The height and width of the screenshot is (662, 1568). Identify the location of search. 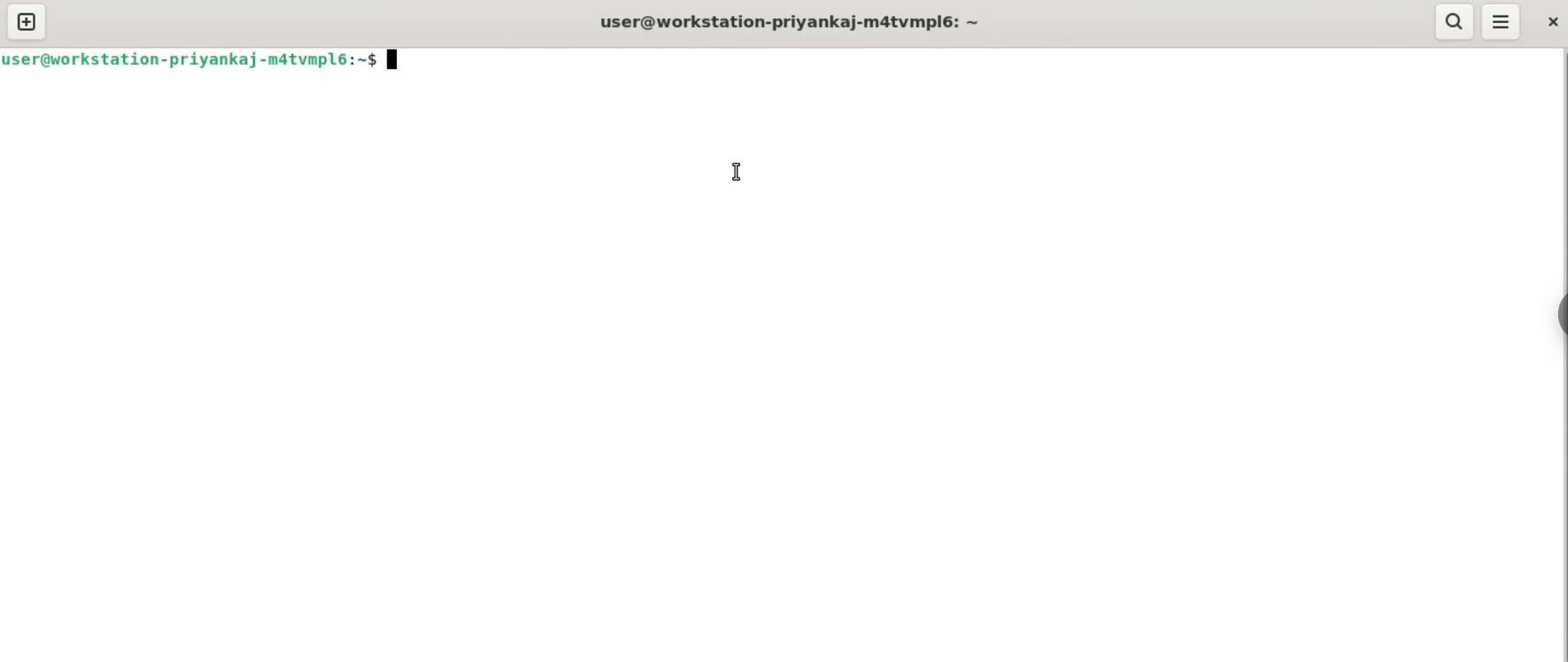
(1454, 22).